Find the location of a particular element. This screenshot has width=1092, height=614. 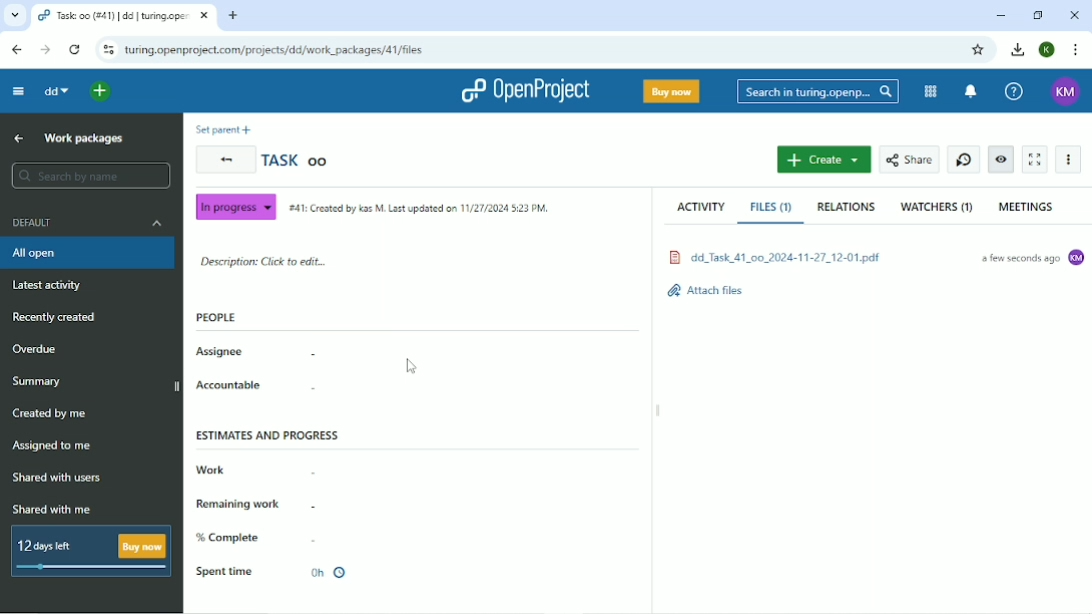

More actions is located at coordinates (1068, 160).